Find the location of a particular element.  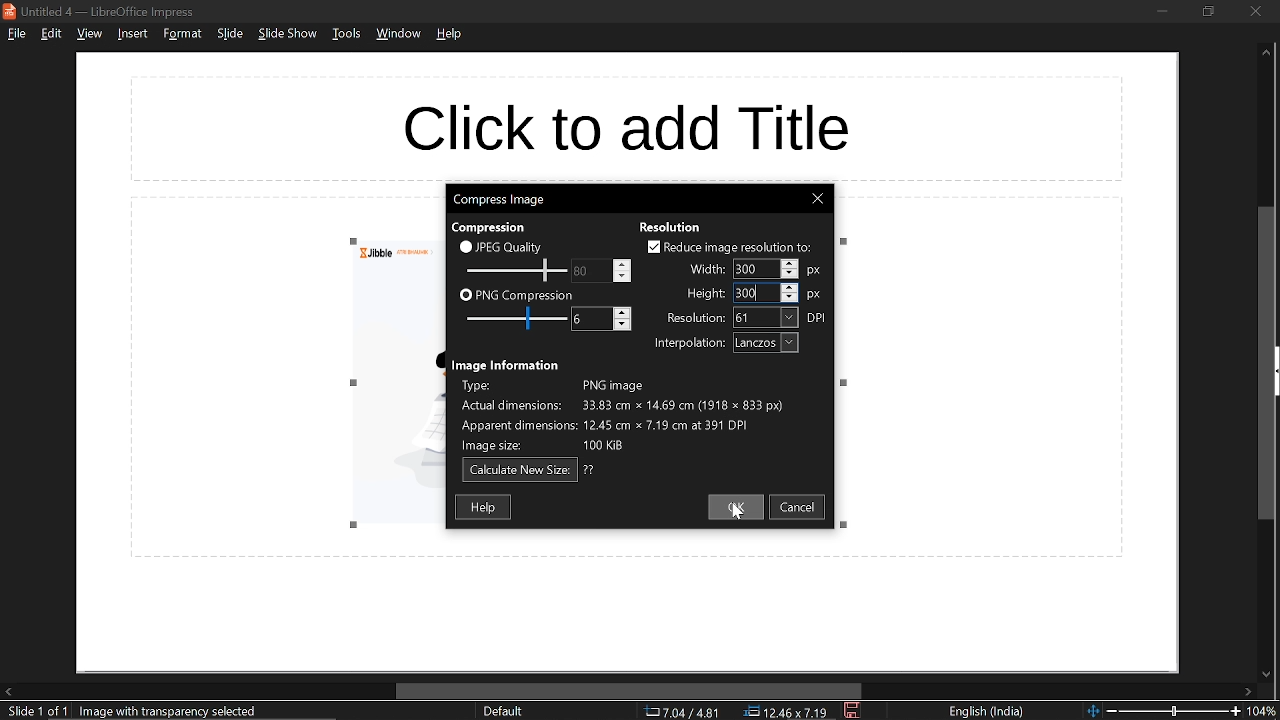

close is located at coordinates (1257, 11).